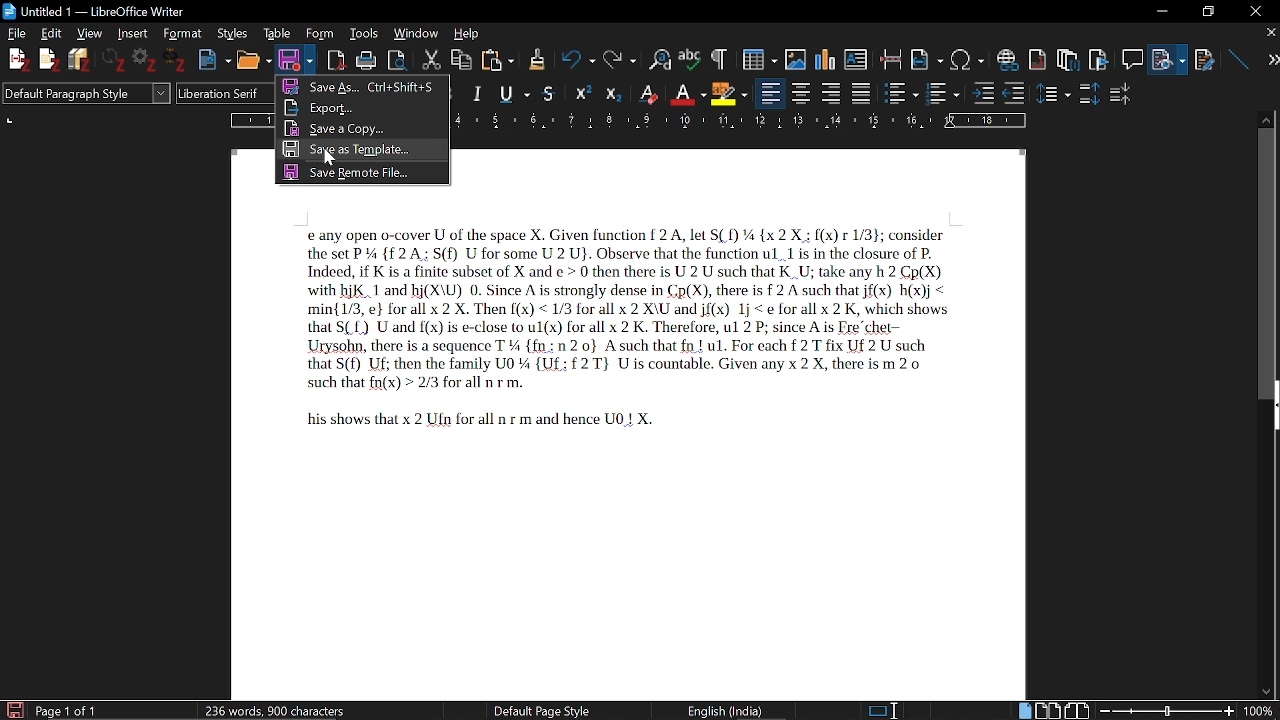  Describe the element at coordinates (1055, 93) in the screenshot. I see `` at that location.